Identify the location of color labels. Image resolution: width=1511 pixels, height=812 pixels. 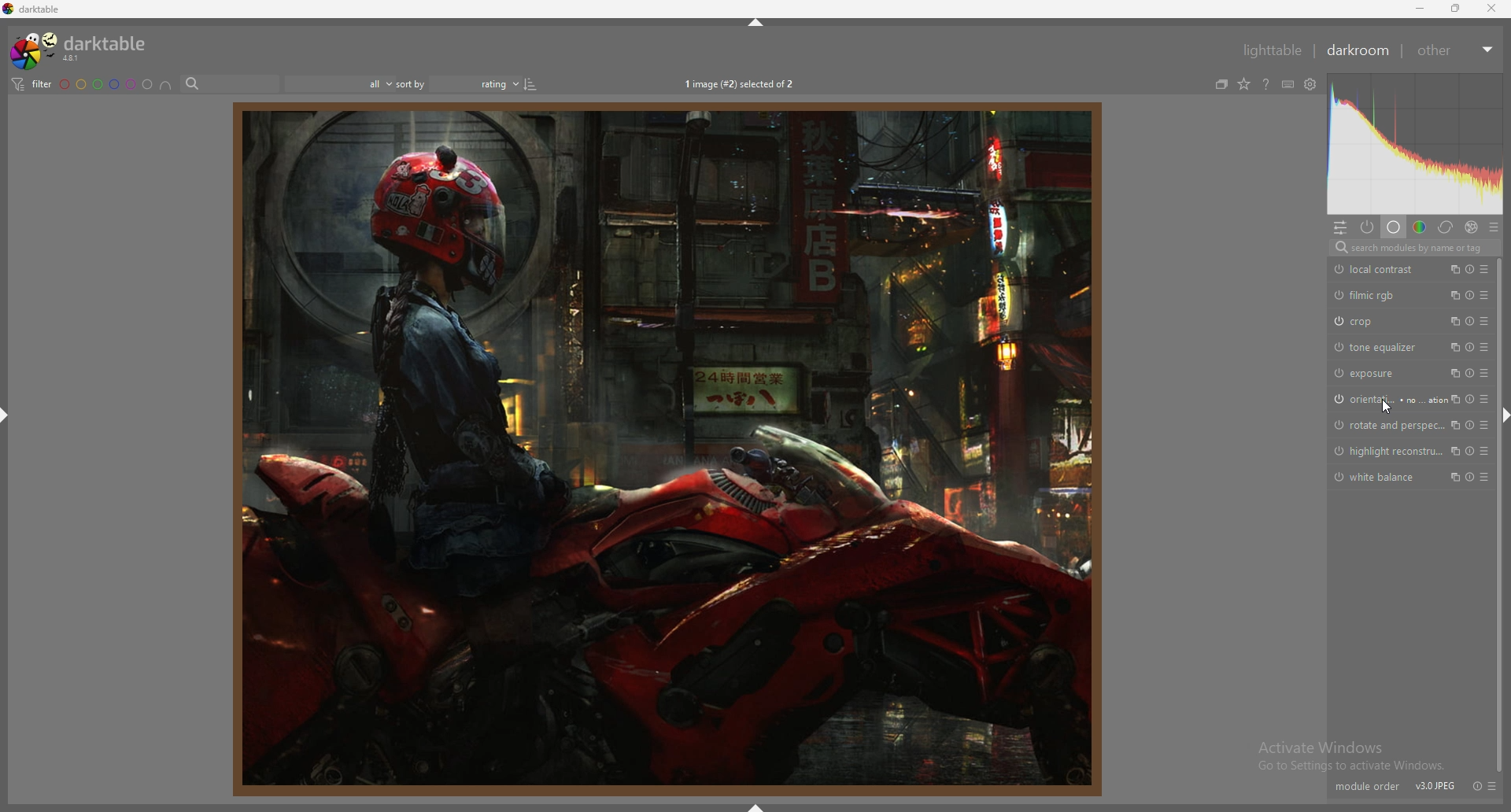
(105, 84).